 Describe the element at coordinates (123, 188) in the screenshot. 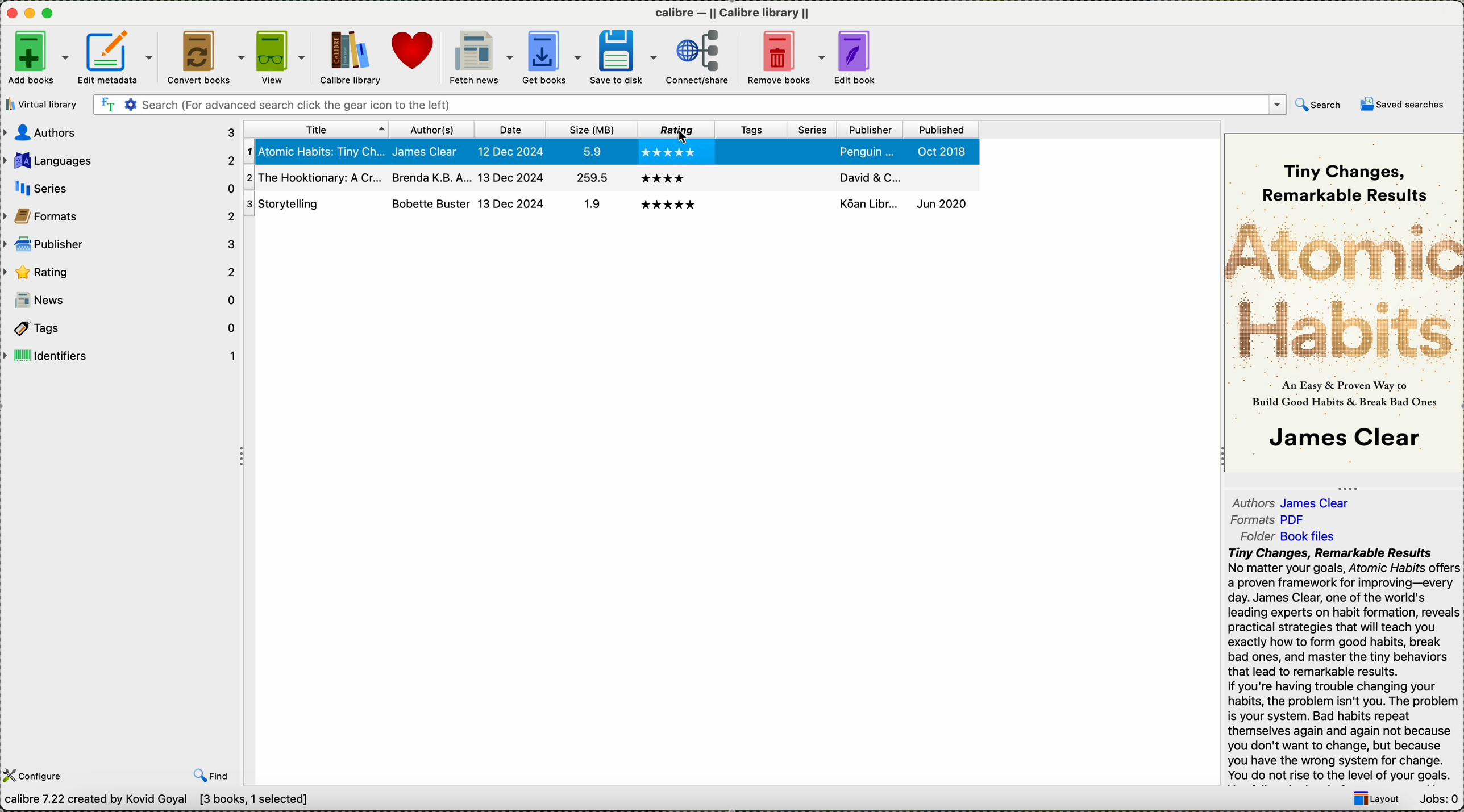

I see `series` at that location.